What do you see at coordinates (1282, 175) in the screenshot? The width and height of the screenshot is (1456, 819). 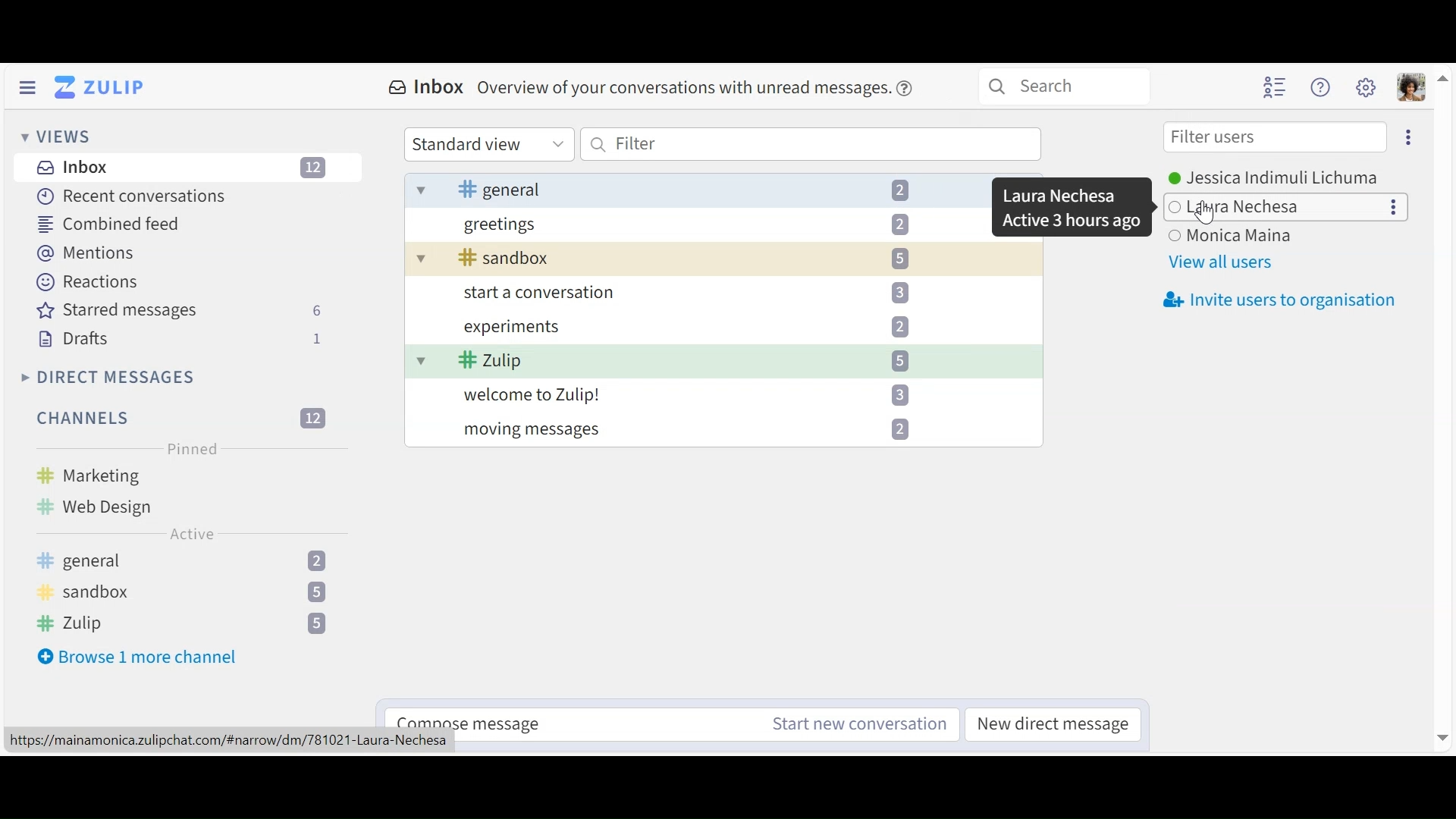 I see `Users` at bounding box center [1282, 175].